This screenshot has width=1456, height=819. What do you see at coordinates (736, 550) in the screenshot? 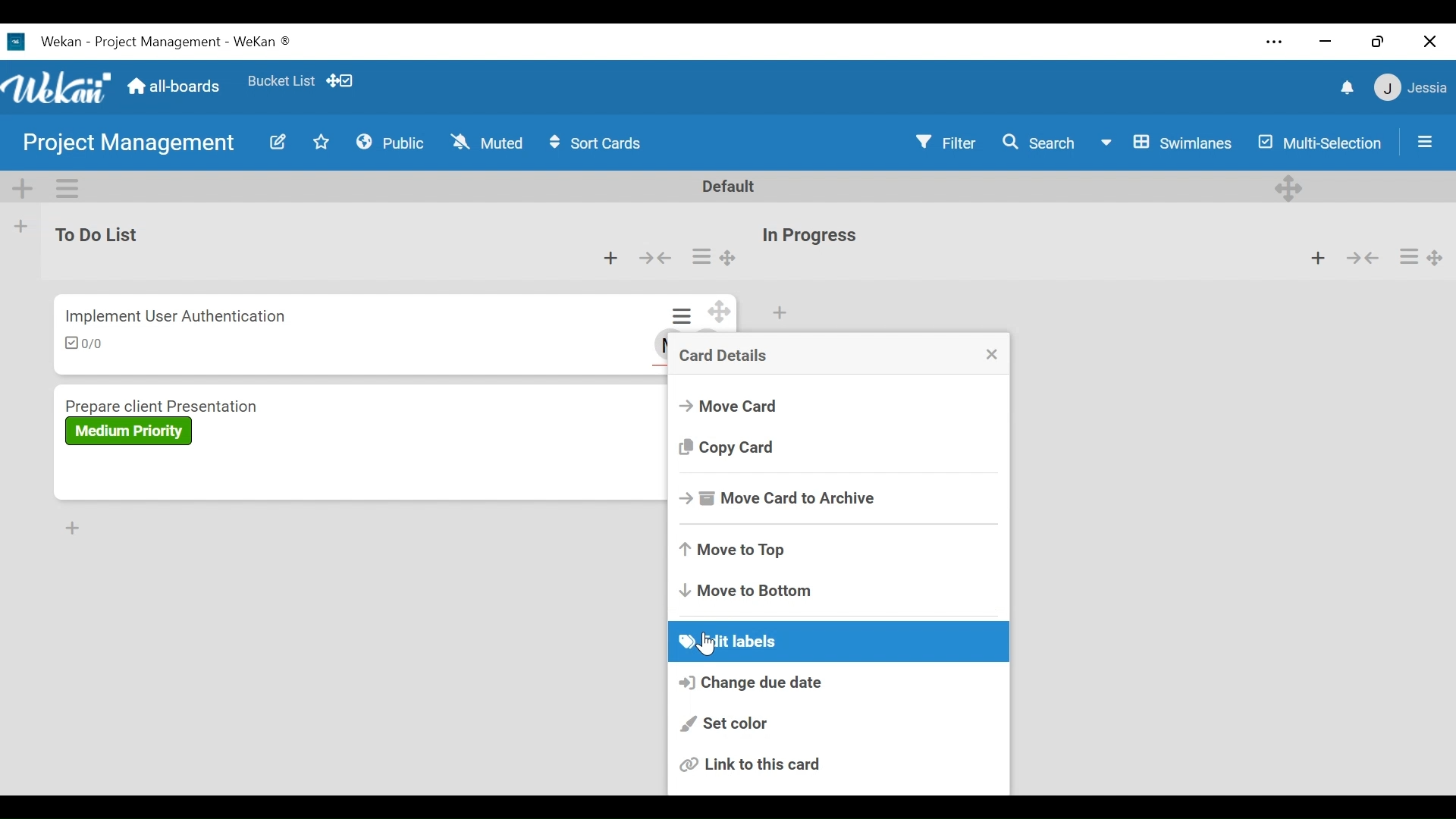
I see `Move to Top` at bounding box center [736, 550].